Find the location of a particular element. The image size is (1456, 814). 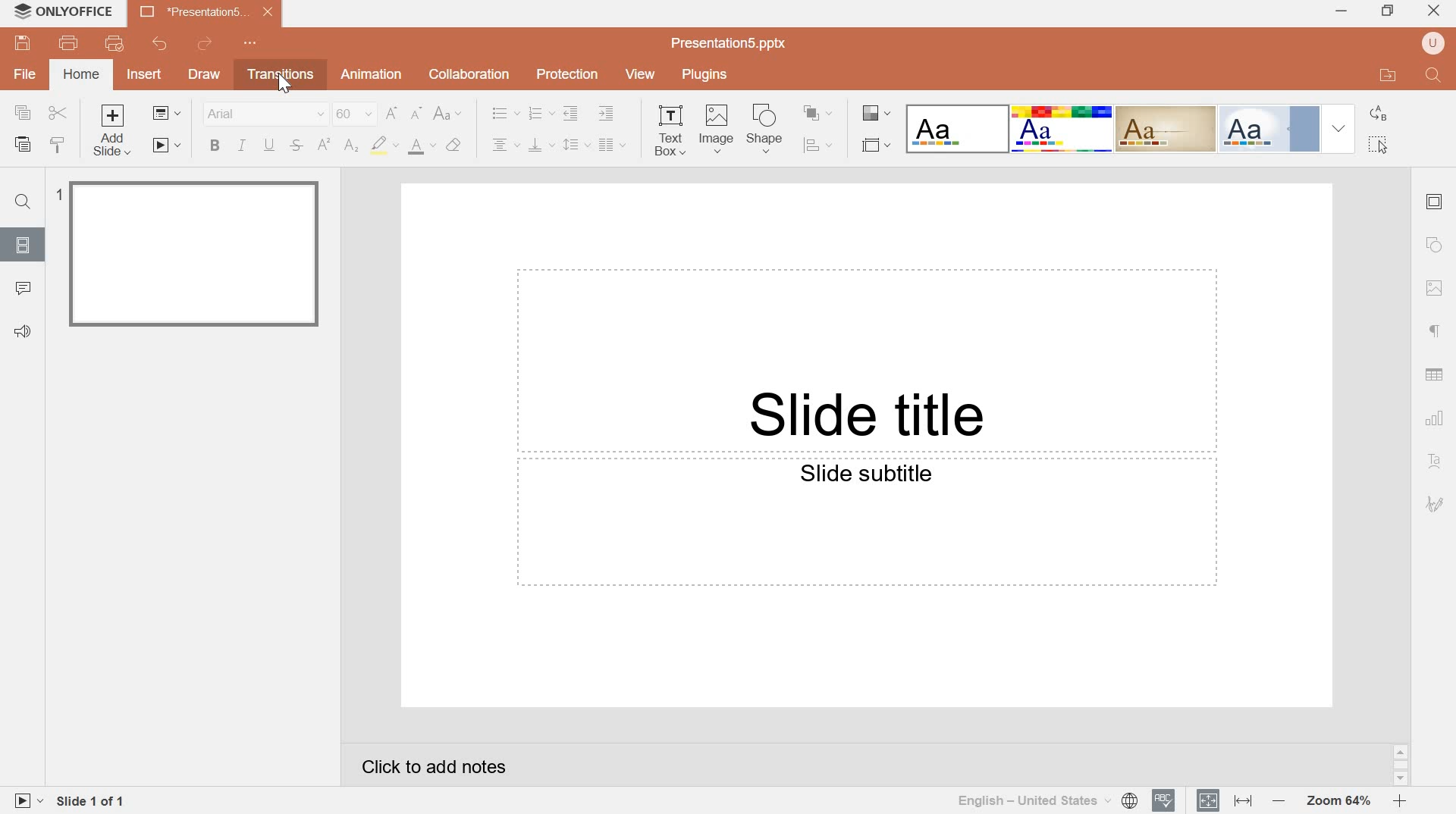

increase indent is located at coordinates (607, 114).